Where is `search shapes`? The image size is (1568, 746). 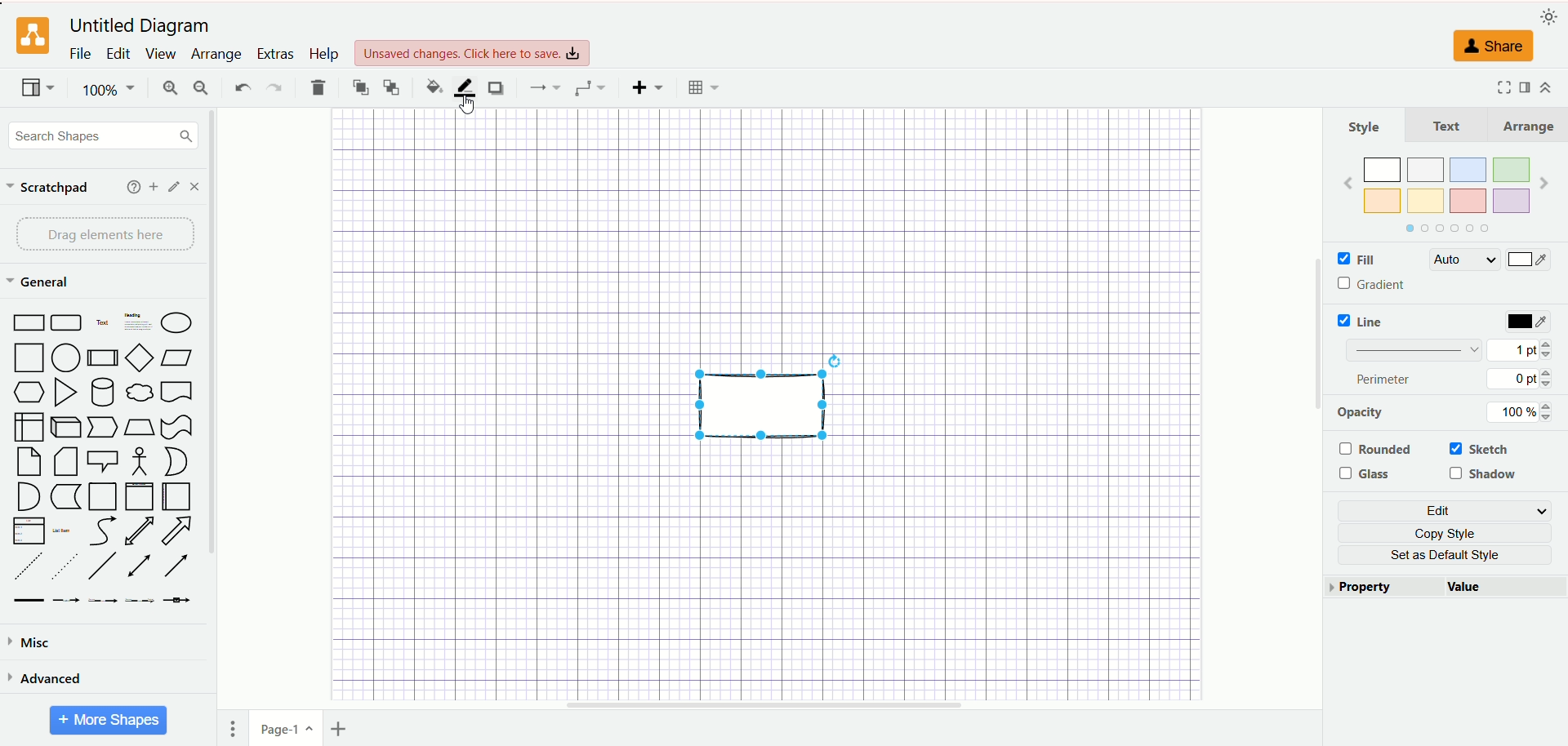 search shapes is located at coordinates (101, 136).